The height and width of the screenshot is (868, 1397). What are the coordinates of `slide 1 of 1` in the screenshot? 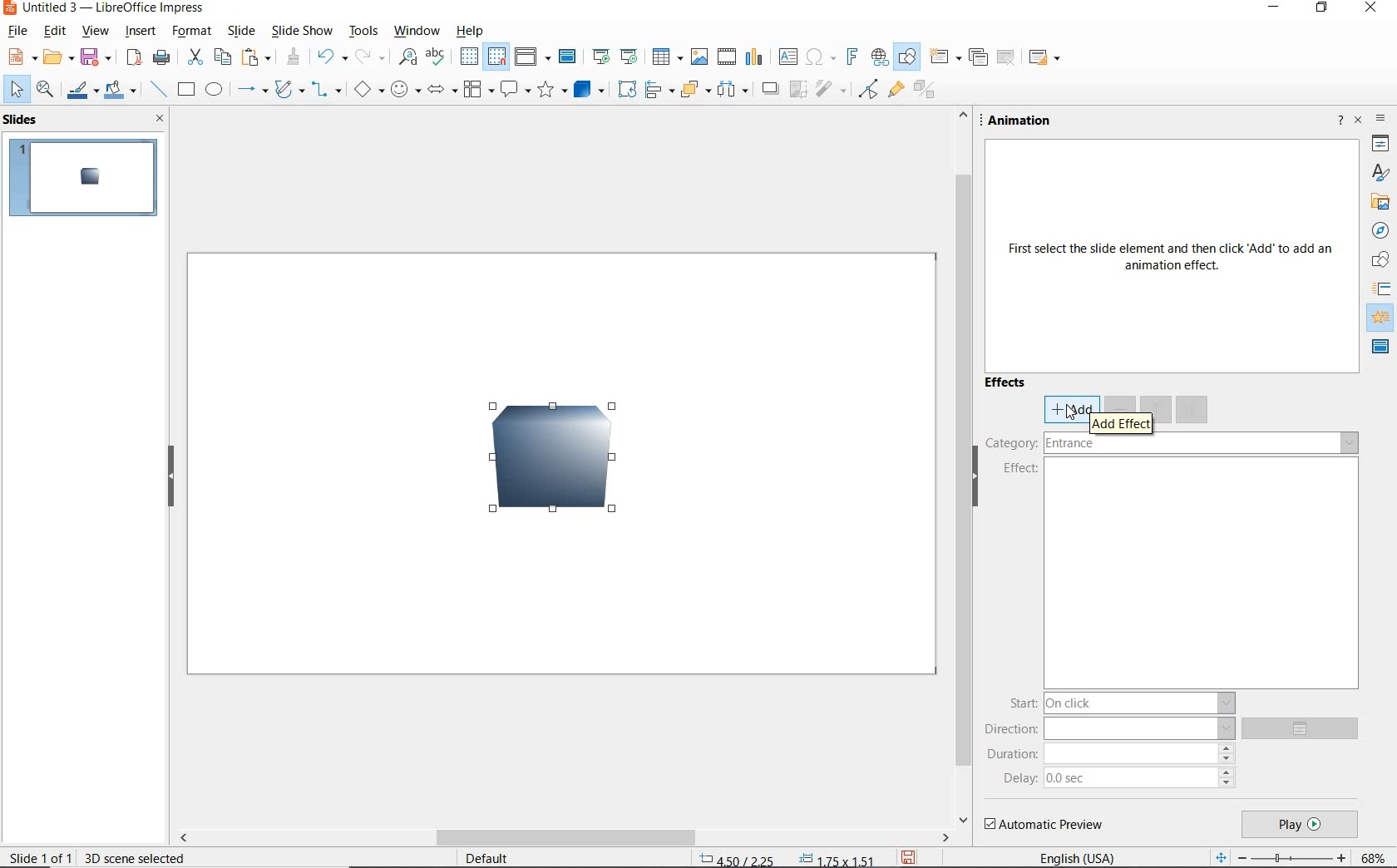 It's located at (41, 856).